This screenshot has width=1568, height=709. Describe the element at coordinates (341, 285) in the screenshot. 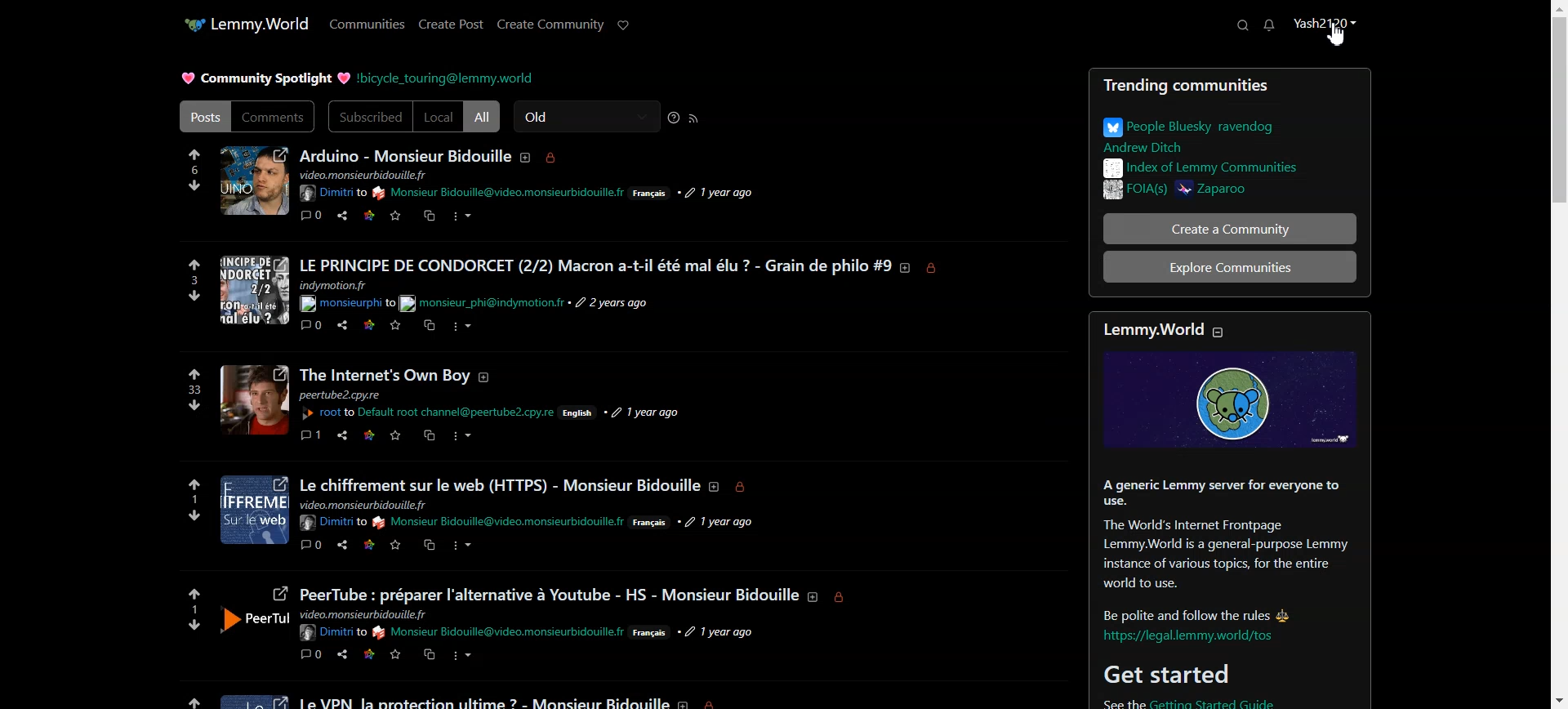

I see `text` at that location.